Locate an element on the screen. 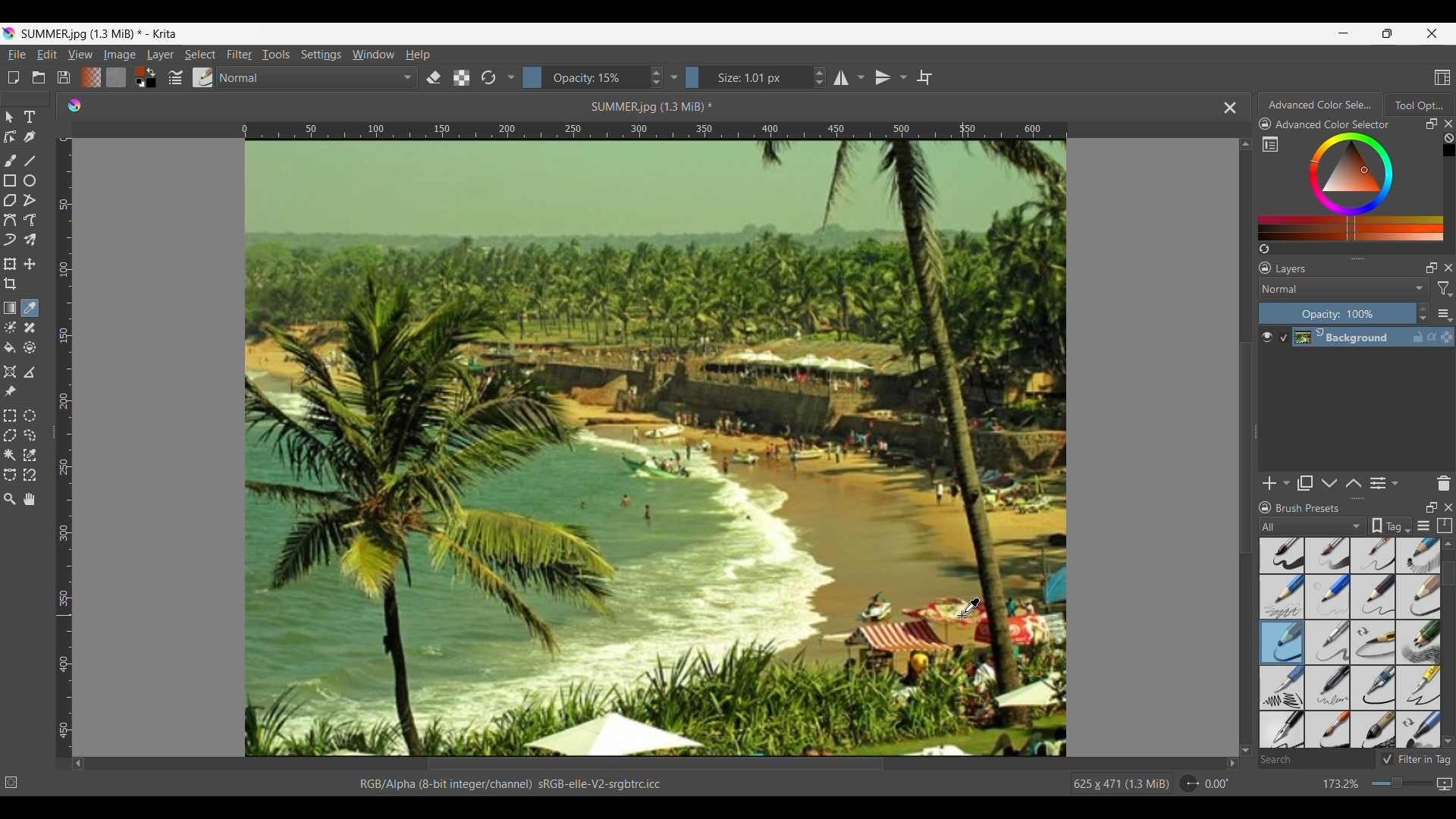 The width and height of the screenshot is (1456, 819). Quick slide to top is located at coordinates (1245, 144).